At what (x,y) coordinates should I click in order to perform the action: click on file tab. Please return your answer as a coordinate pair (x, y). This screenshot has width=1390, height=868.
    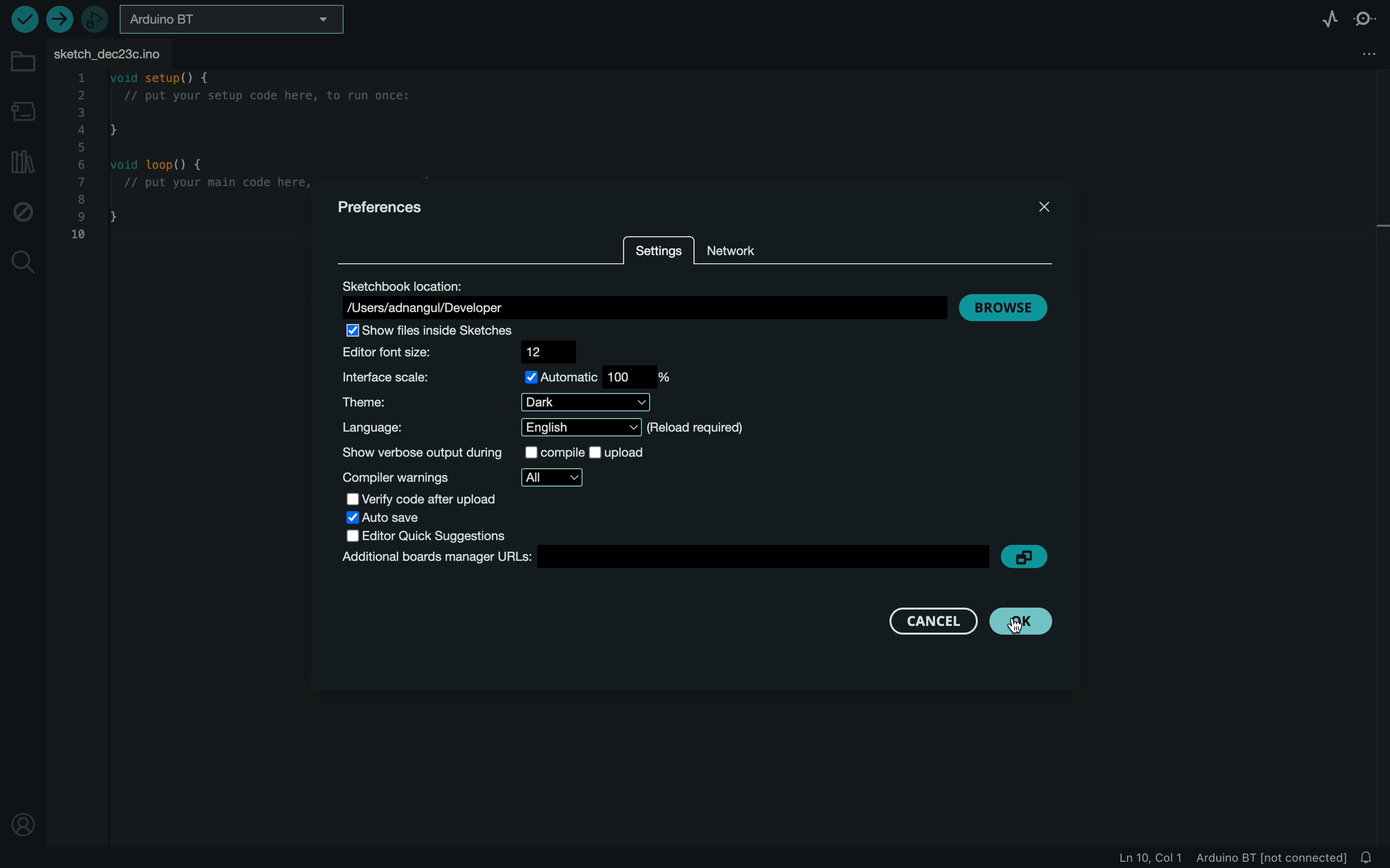
    Looking at the image, I should click on (118, 53).